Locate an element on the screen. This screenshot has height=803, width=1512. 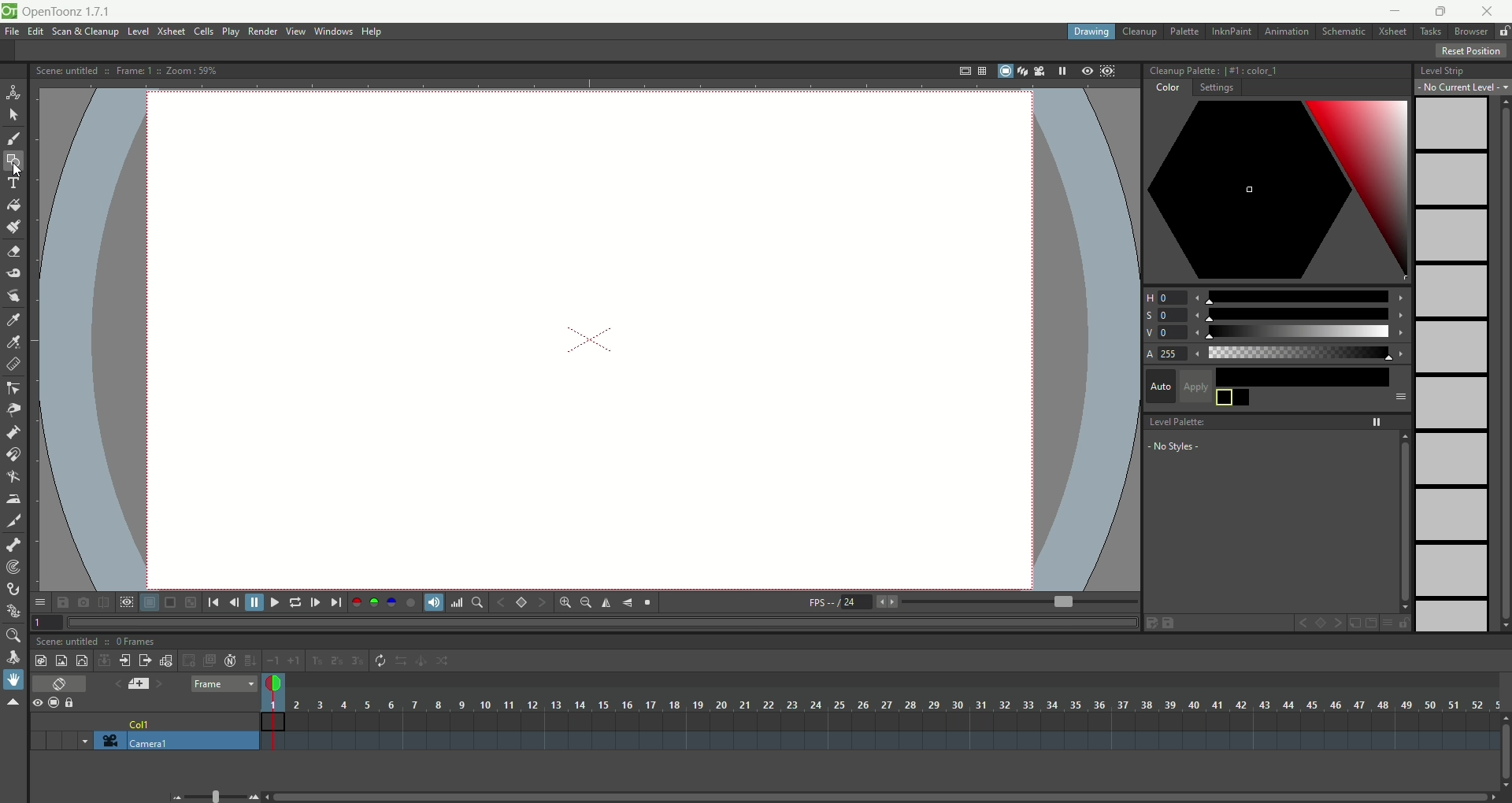
loop is located at coordinates (295, 602).